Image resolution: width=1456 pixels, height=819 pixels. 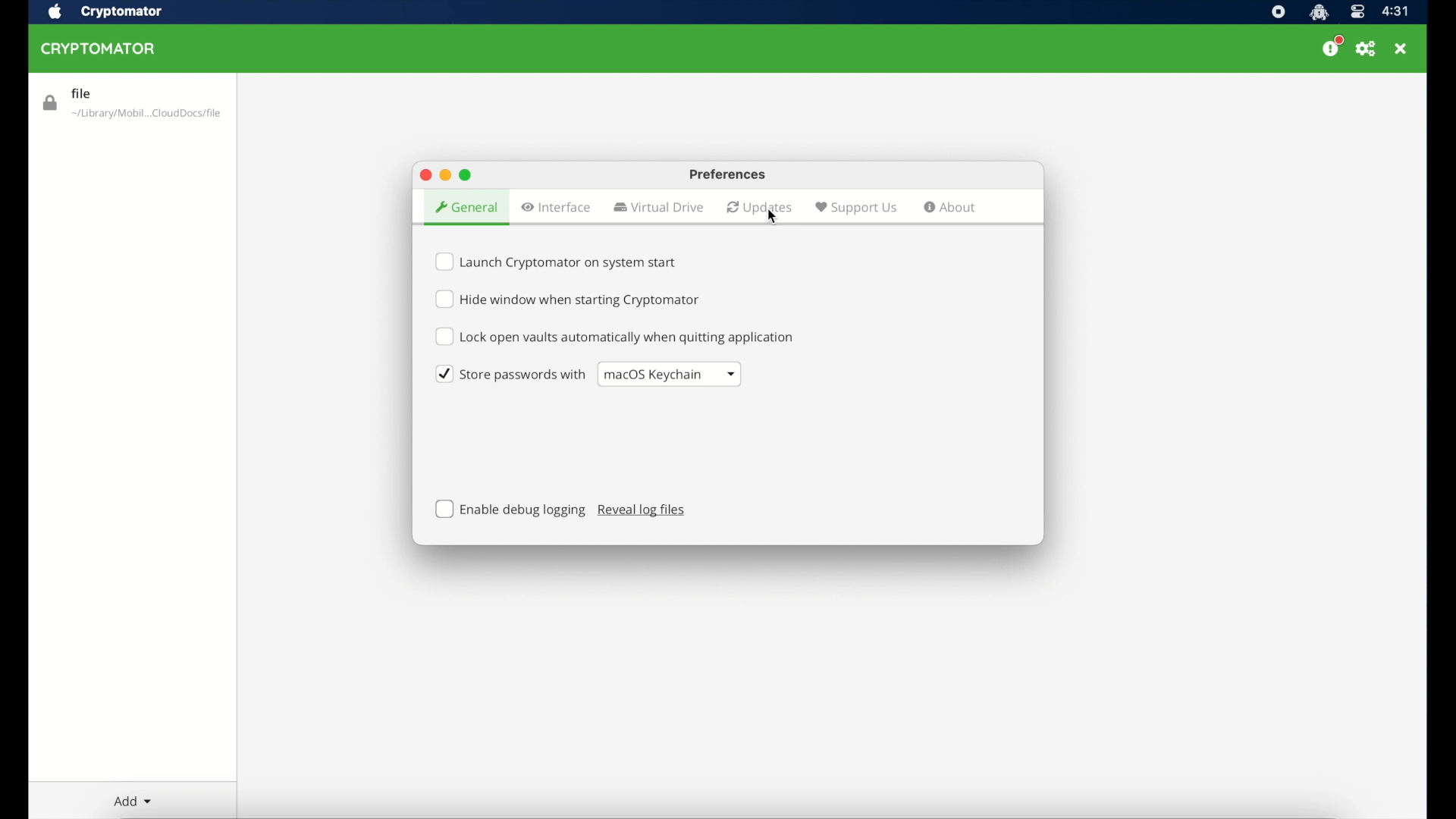 I want to click on checkbox, so click(x=614, y=337).